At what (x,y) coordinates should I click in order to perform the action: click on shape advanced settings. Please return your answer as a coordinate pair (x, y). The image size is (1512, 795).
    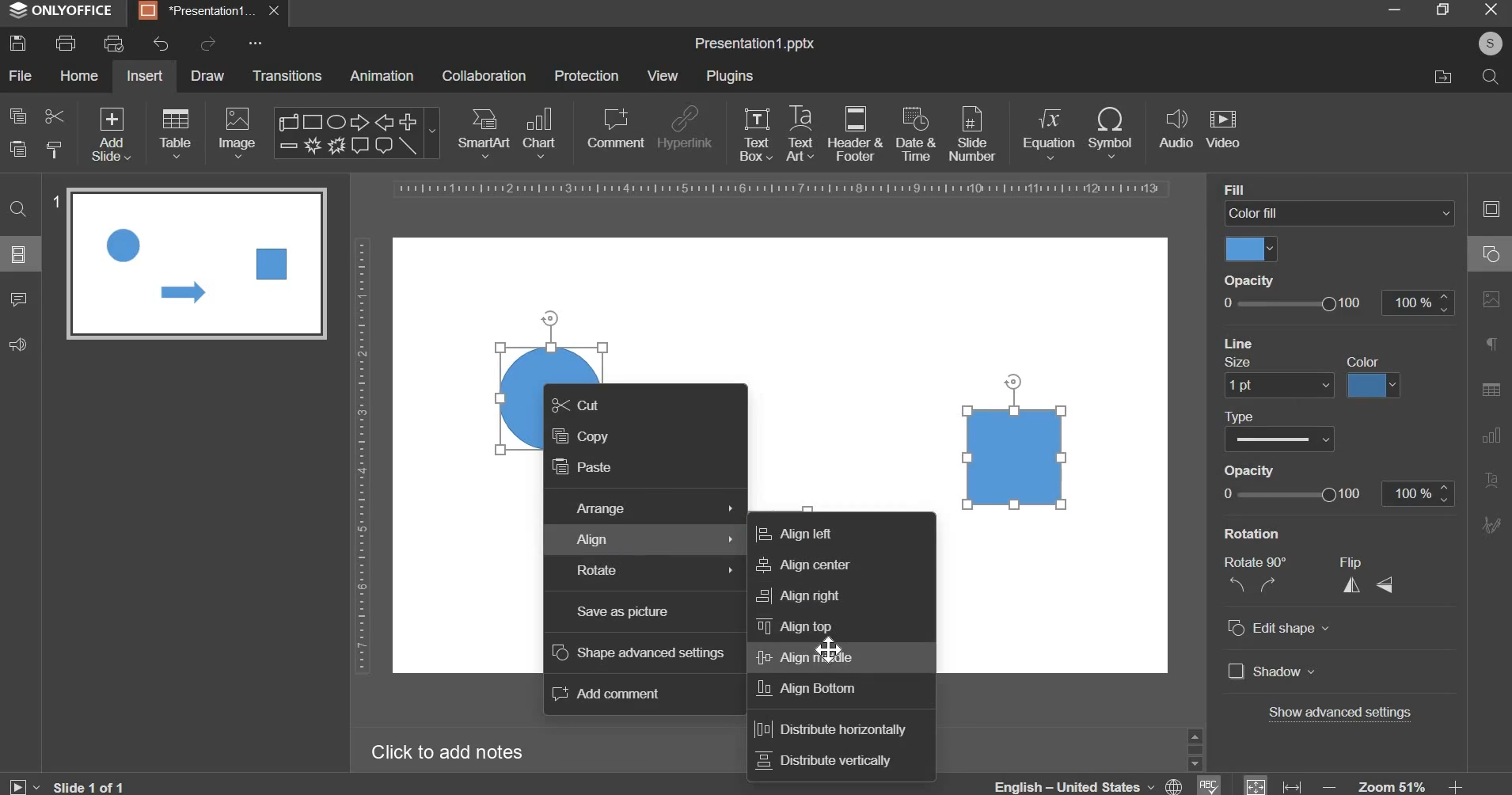
    Looking at the image, I should click on (639, 653).